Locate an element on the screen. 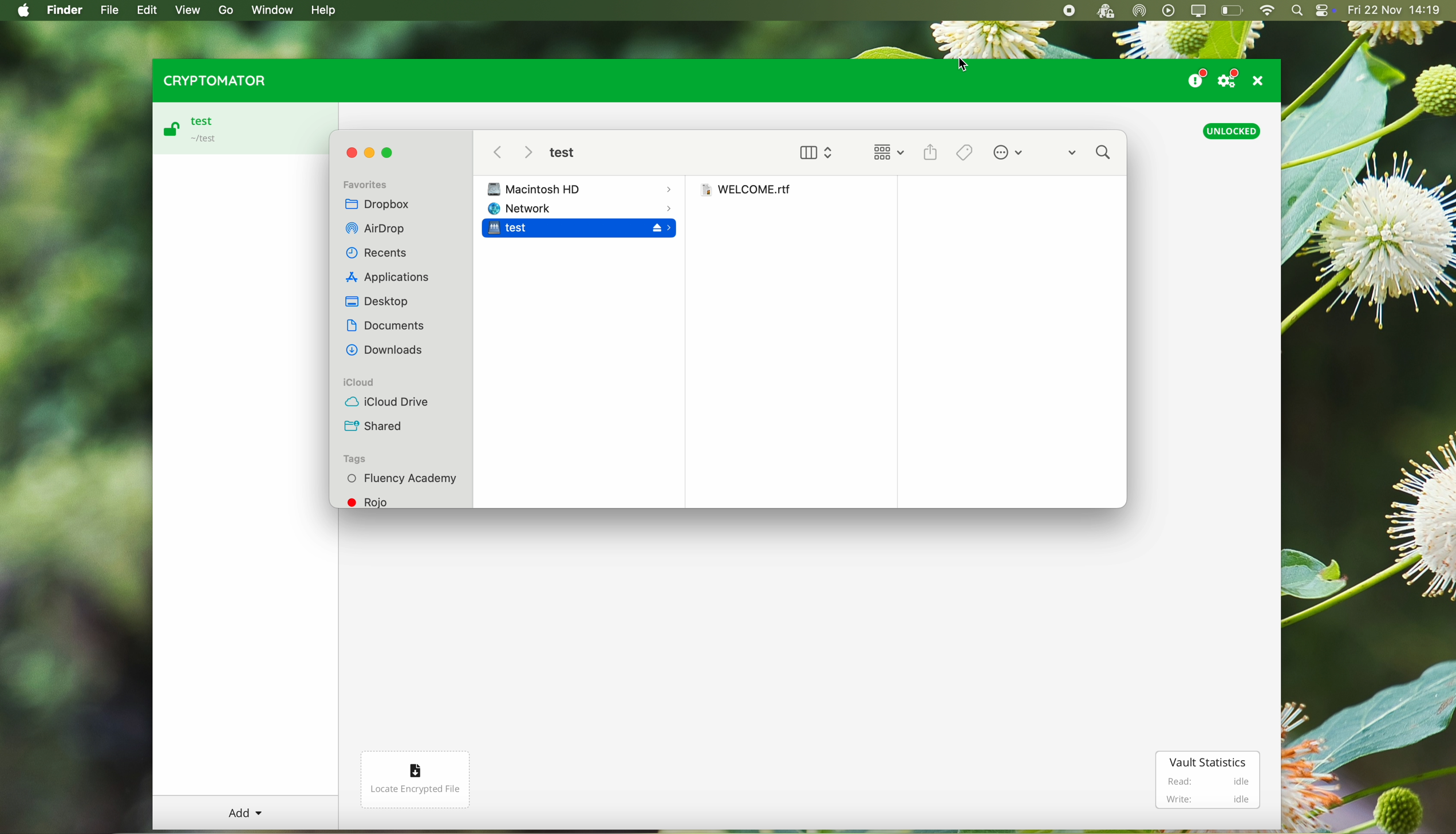 The height and width of the screenshot is (834, 1456). Rojo is located at coordinates (388, 502).